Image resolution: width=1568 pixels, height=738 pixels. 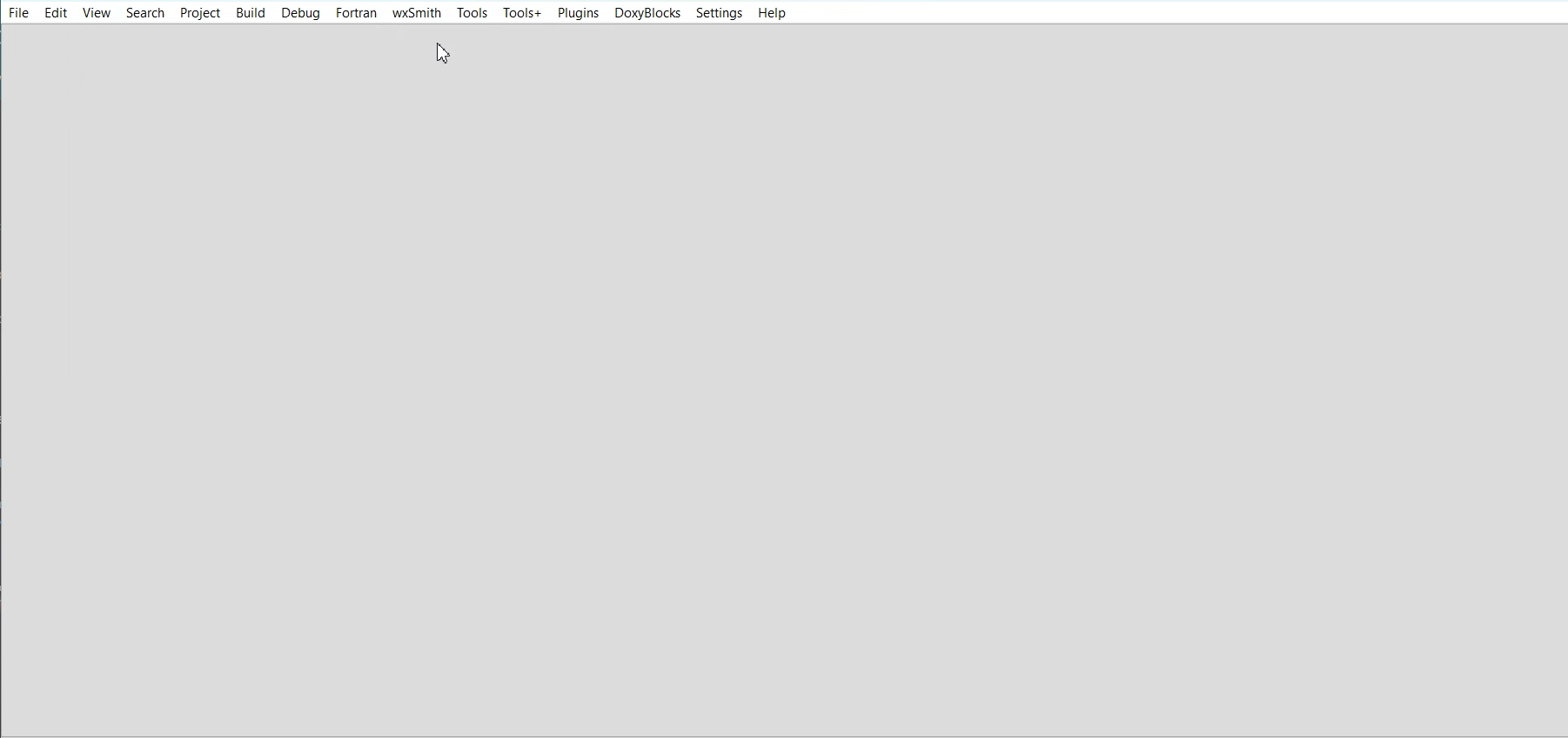 What do you see at coordinates (770, 14) in the screenshot?
I see `Help` at bounding box center [770, 14].